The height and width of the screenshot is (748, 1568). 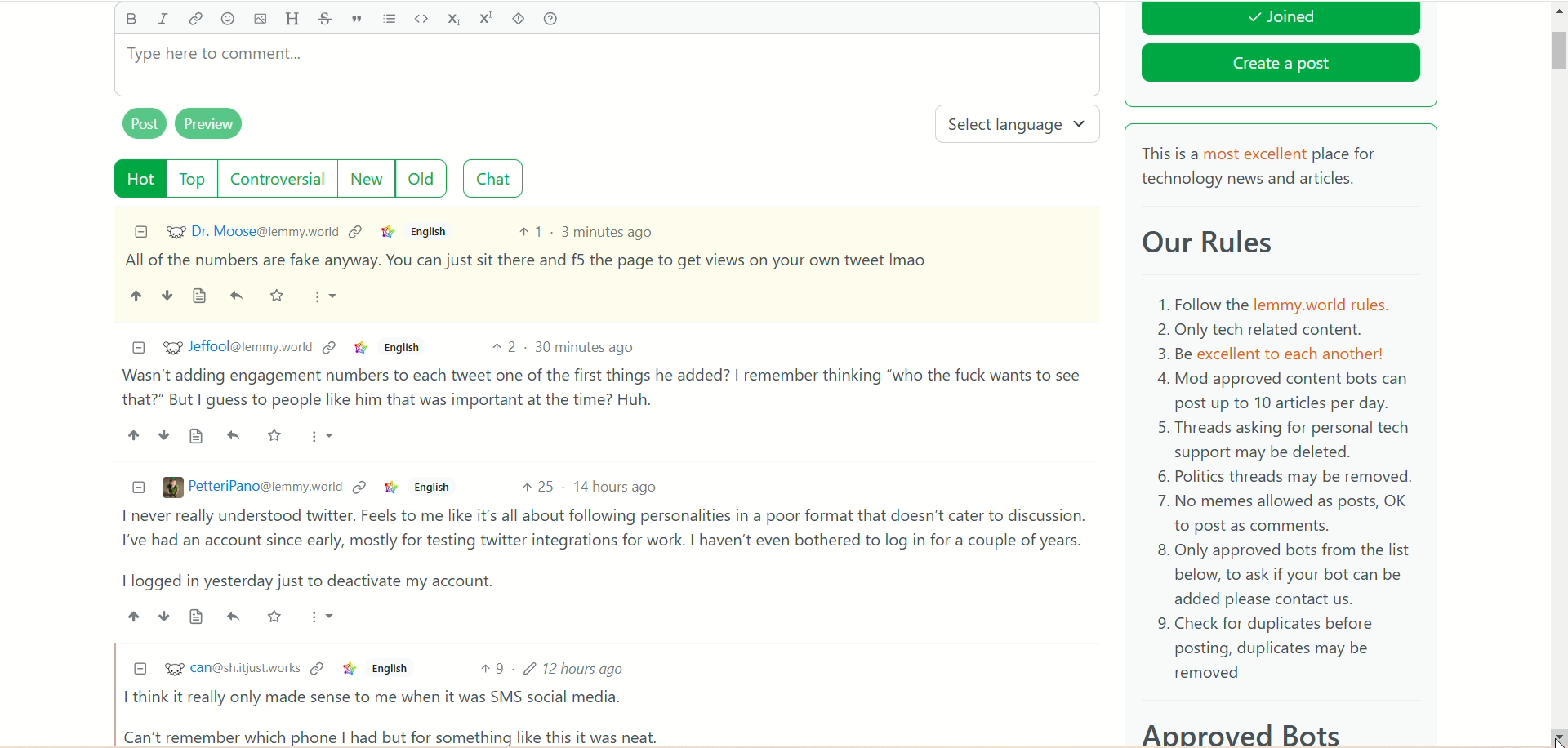 I want to click on top, so click(x=194, y=179).